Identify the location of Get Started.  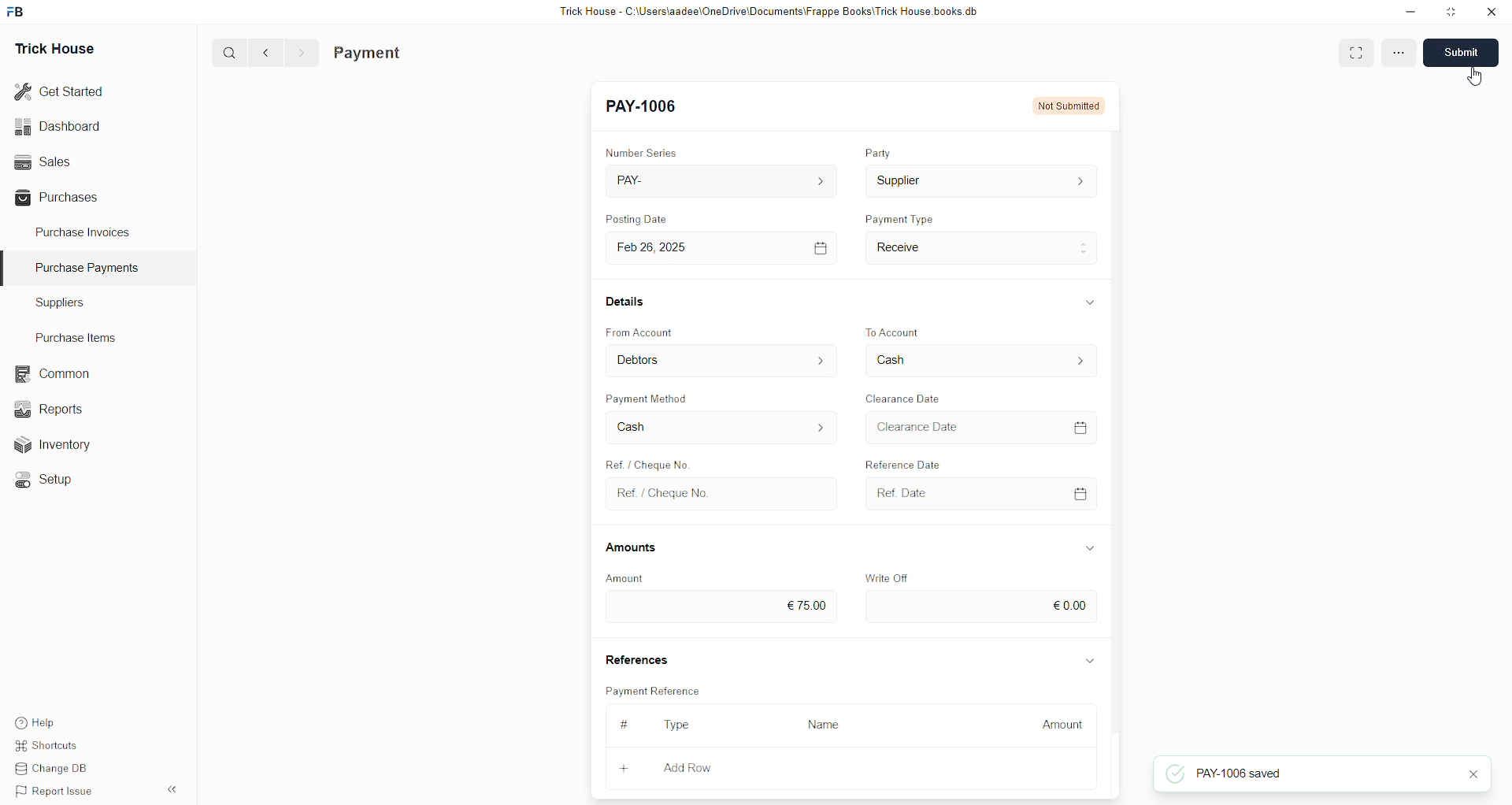
(62, 90).